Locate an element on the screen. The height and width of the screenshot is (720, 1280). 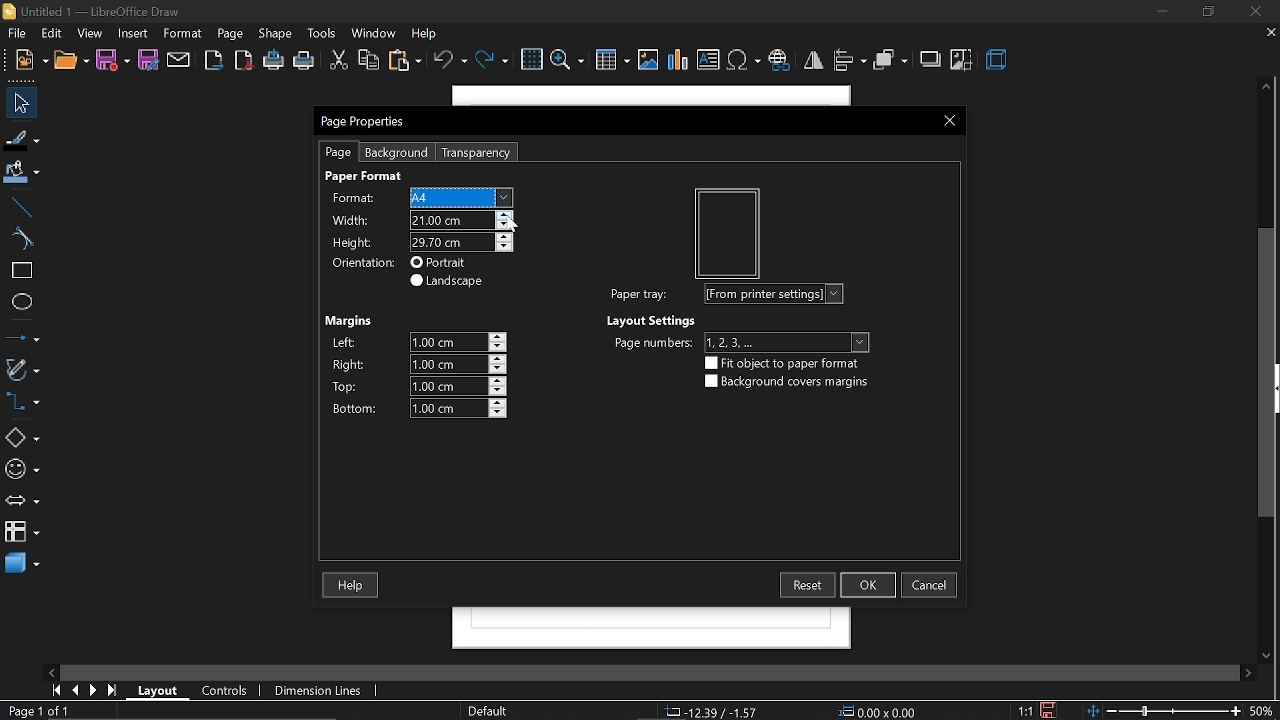
next page is located at coordinates (96, 692).